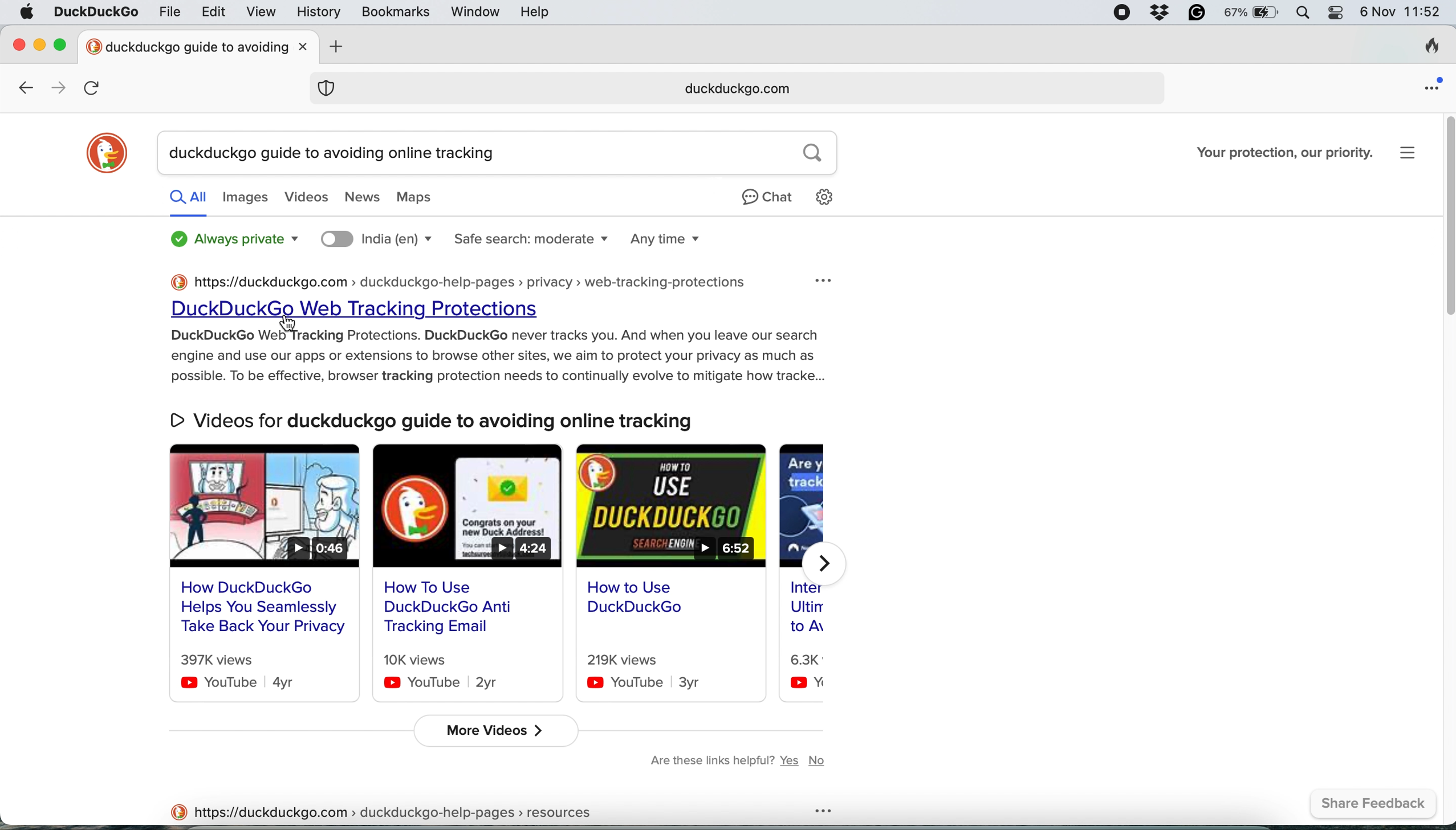 Image resolution: width=1456 pixels, height=830 pixels. What do you see at coordinates (806, 609) in the screenshot?
I see `inter ` at bounding box center [806, 609].